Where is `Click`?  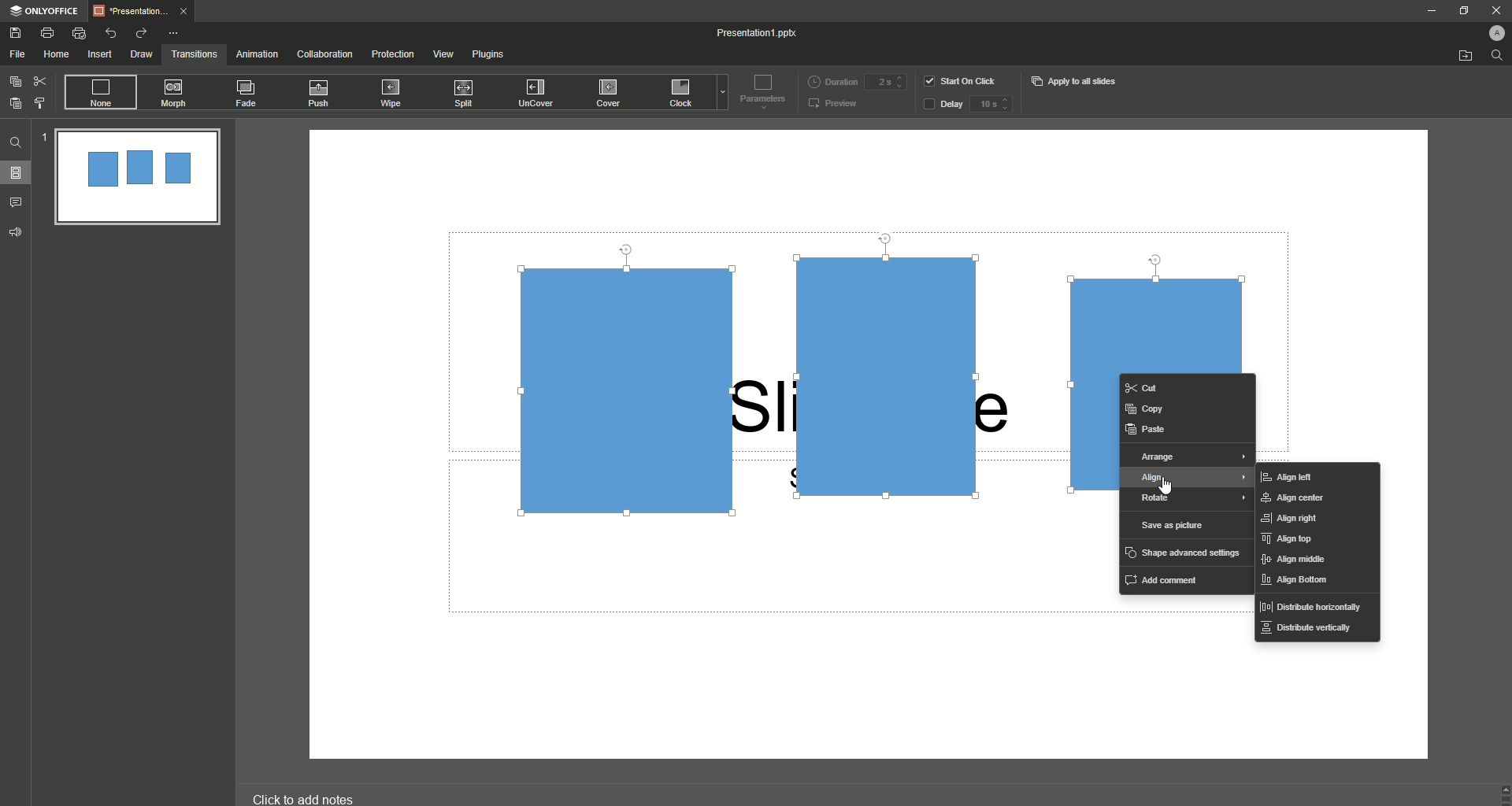 Click is located at coordinates (683, 95).